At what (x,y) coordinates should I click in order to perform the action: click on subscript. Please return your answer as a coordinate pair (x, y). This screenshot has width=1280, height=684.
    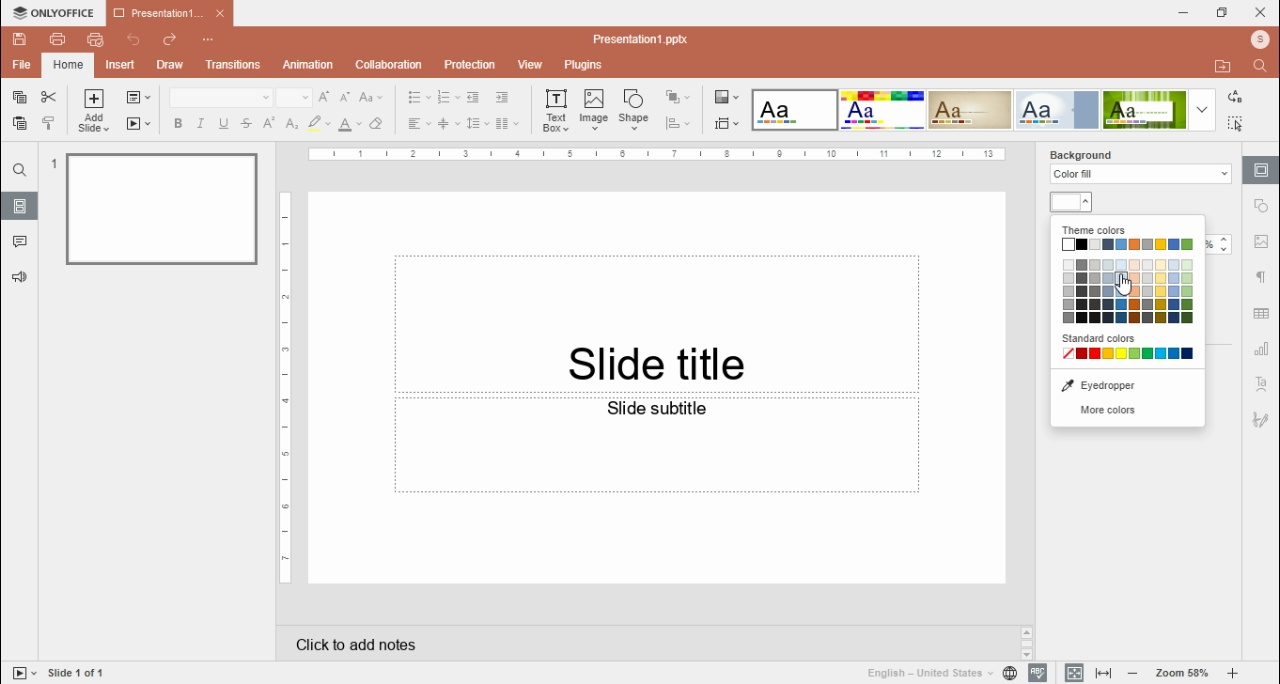
    Looking at the image, I should click on (291, 124).